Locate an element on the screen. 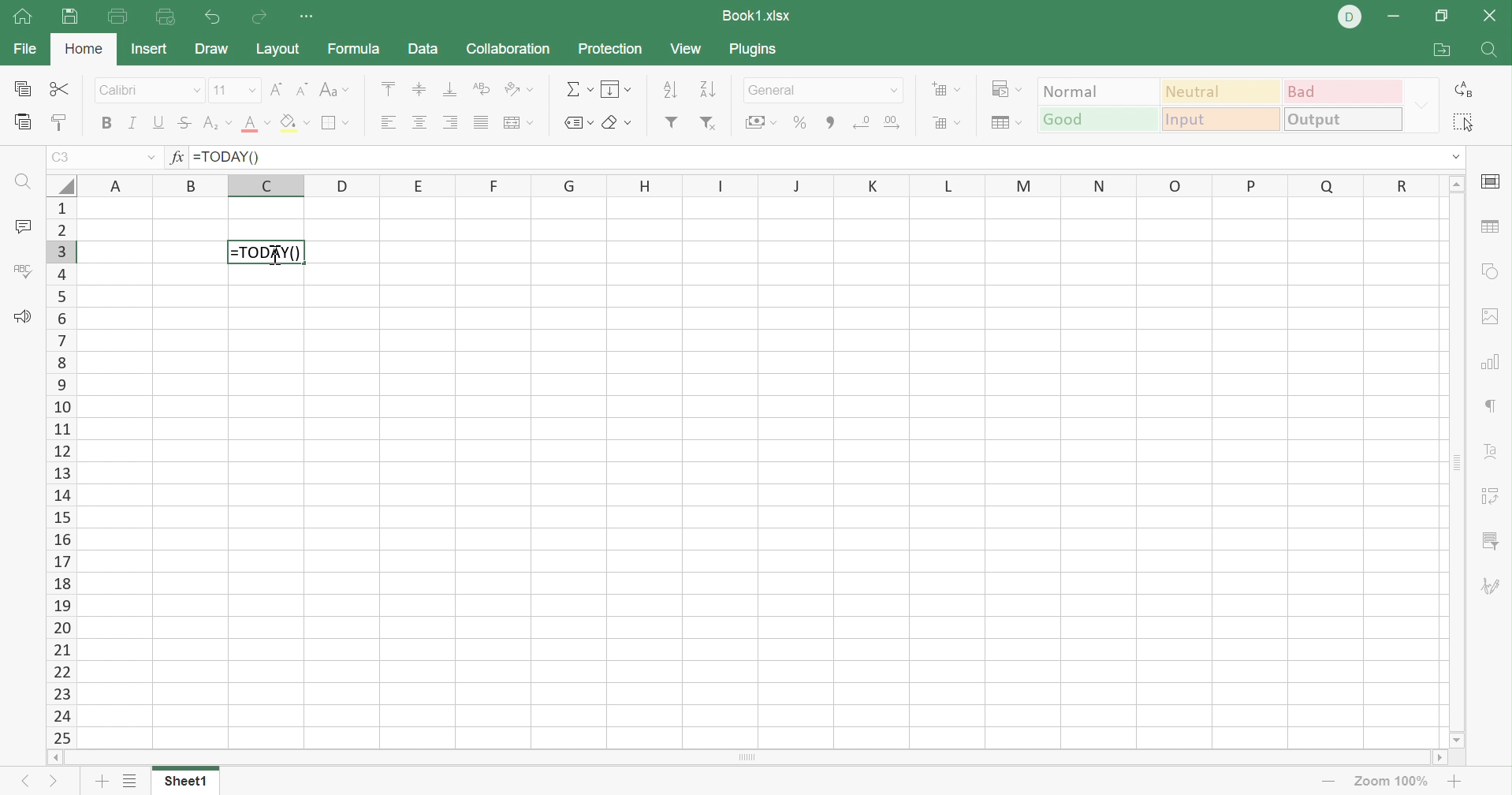 Image resolution: width=1512 pixels, height=795 pixels. Merge and center is located at coordinates (520, 122).